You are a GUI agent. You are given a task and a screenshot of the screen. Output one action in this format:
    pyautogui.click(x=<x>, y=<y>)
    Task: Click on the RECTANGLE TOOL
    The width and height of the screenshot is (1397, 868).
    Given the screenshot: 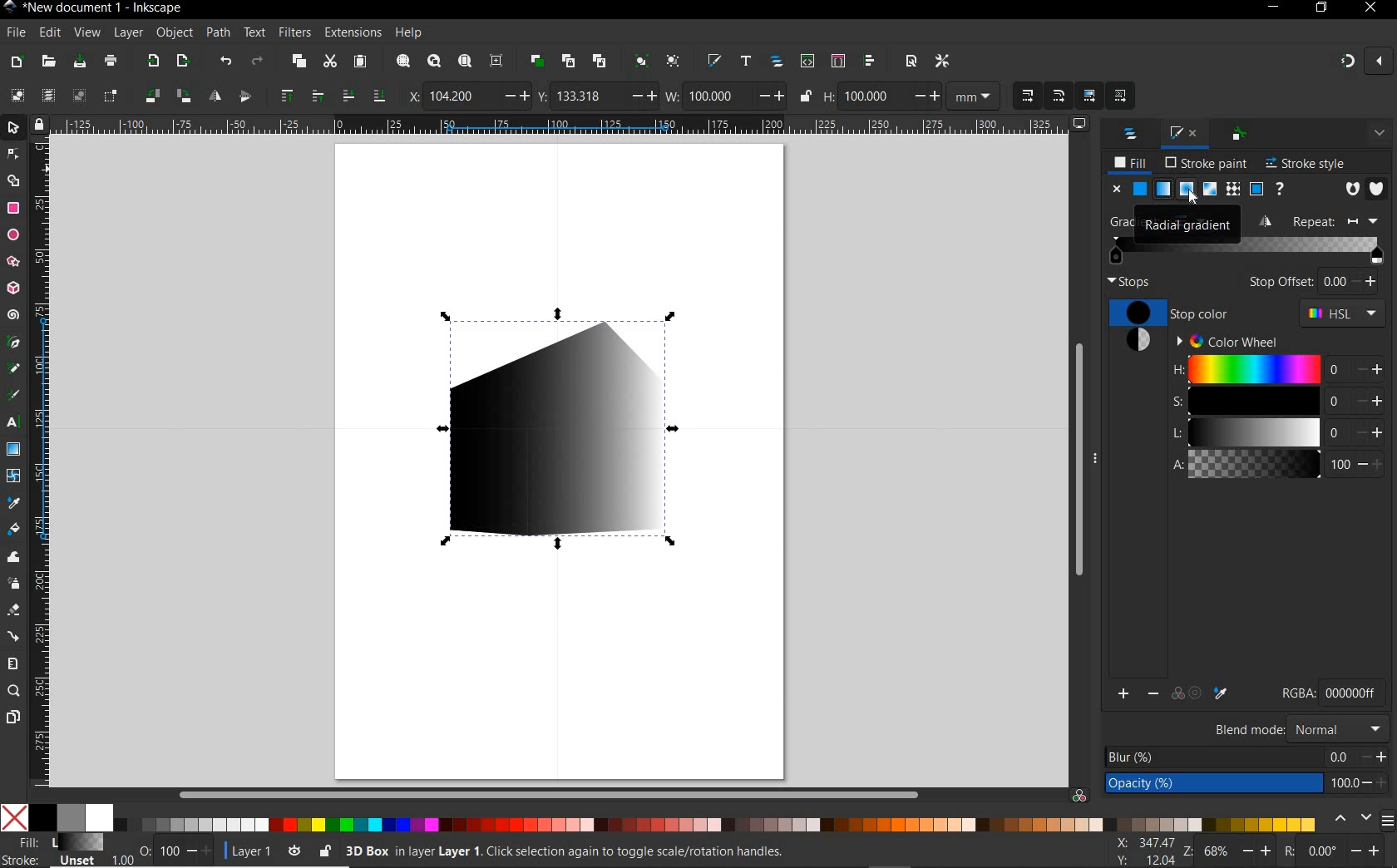 What is the action you would take?
    pyautogui.click(x=13, y=209)
    